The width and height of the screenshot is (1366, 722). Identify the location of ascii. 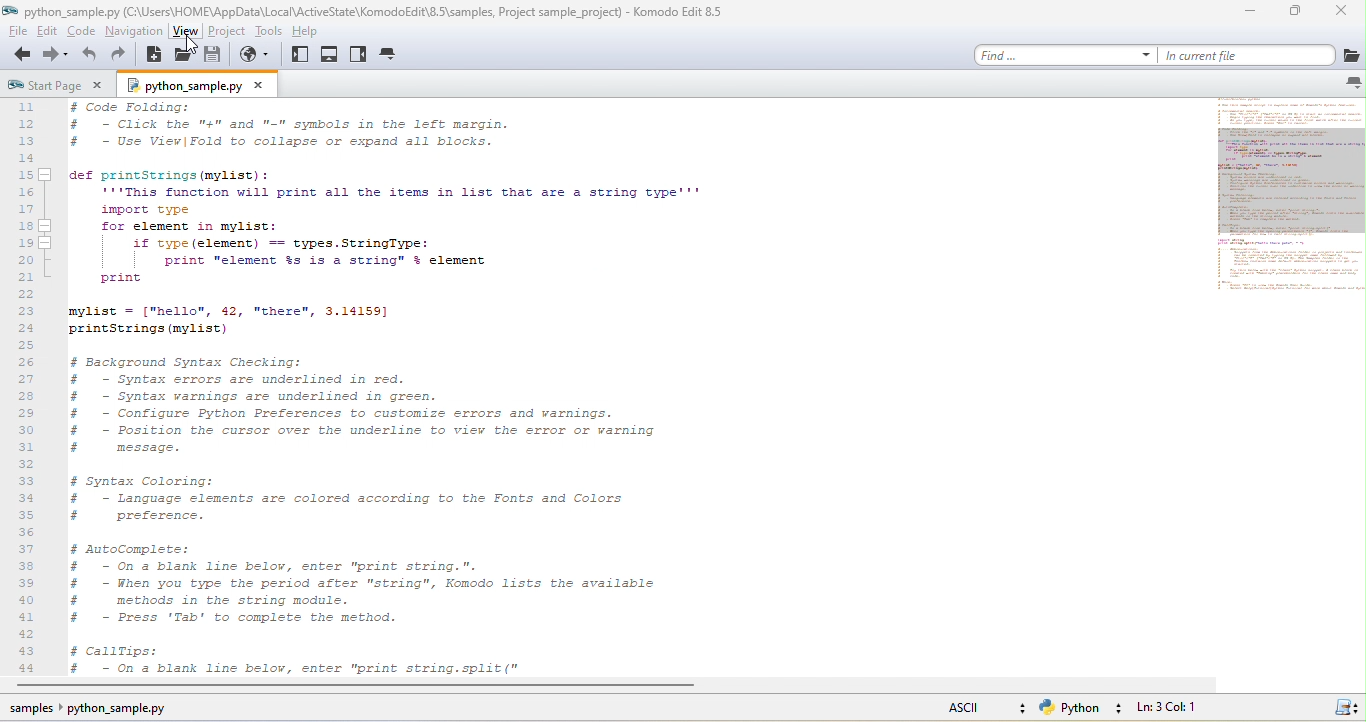
(981, 706).